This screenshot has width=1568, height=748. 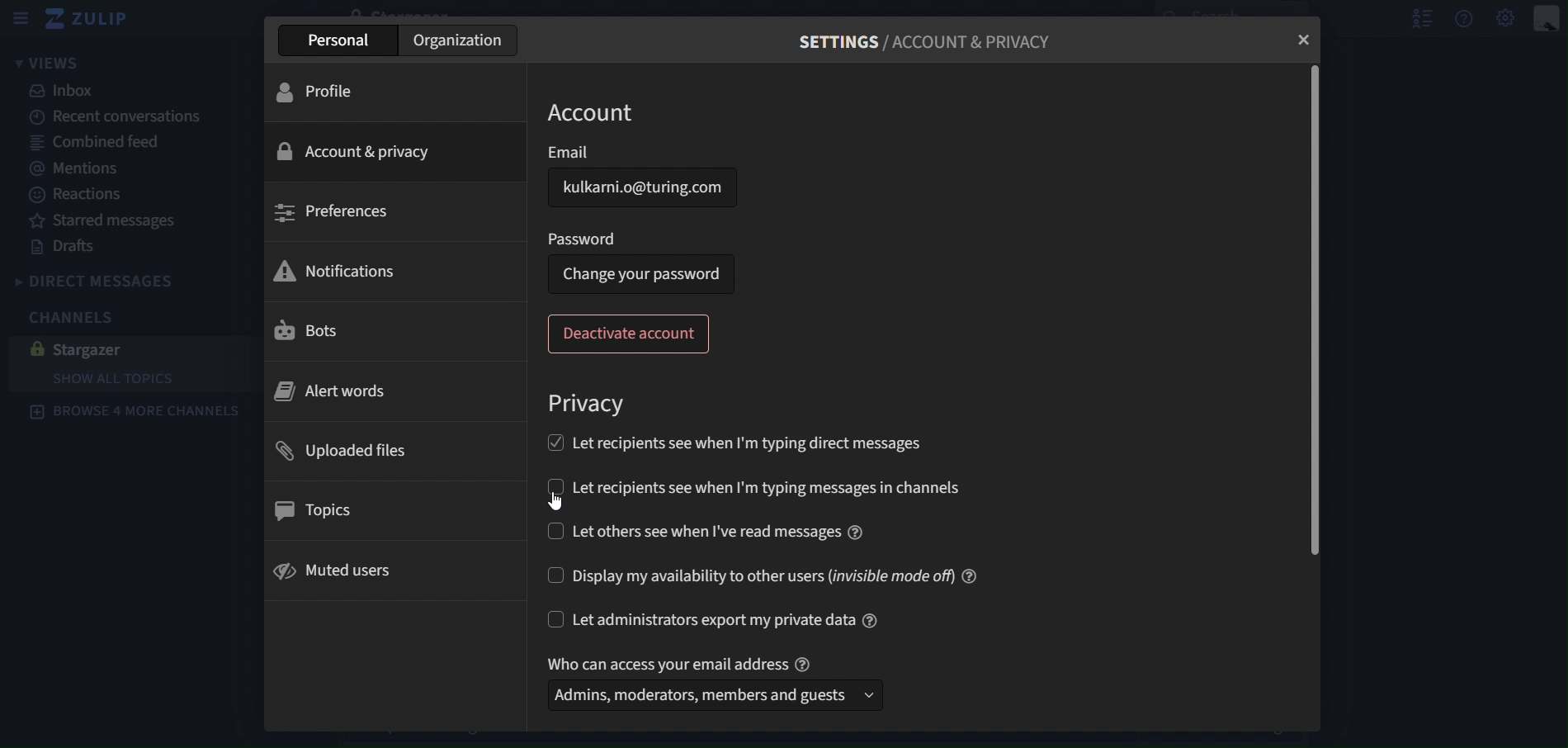 What do you see at coordinates (346, 450) in the screenshot?
I see `uploades files` at bounding box center [346, 450].